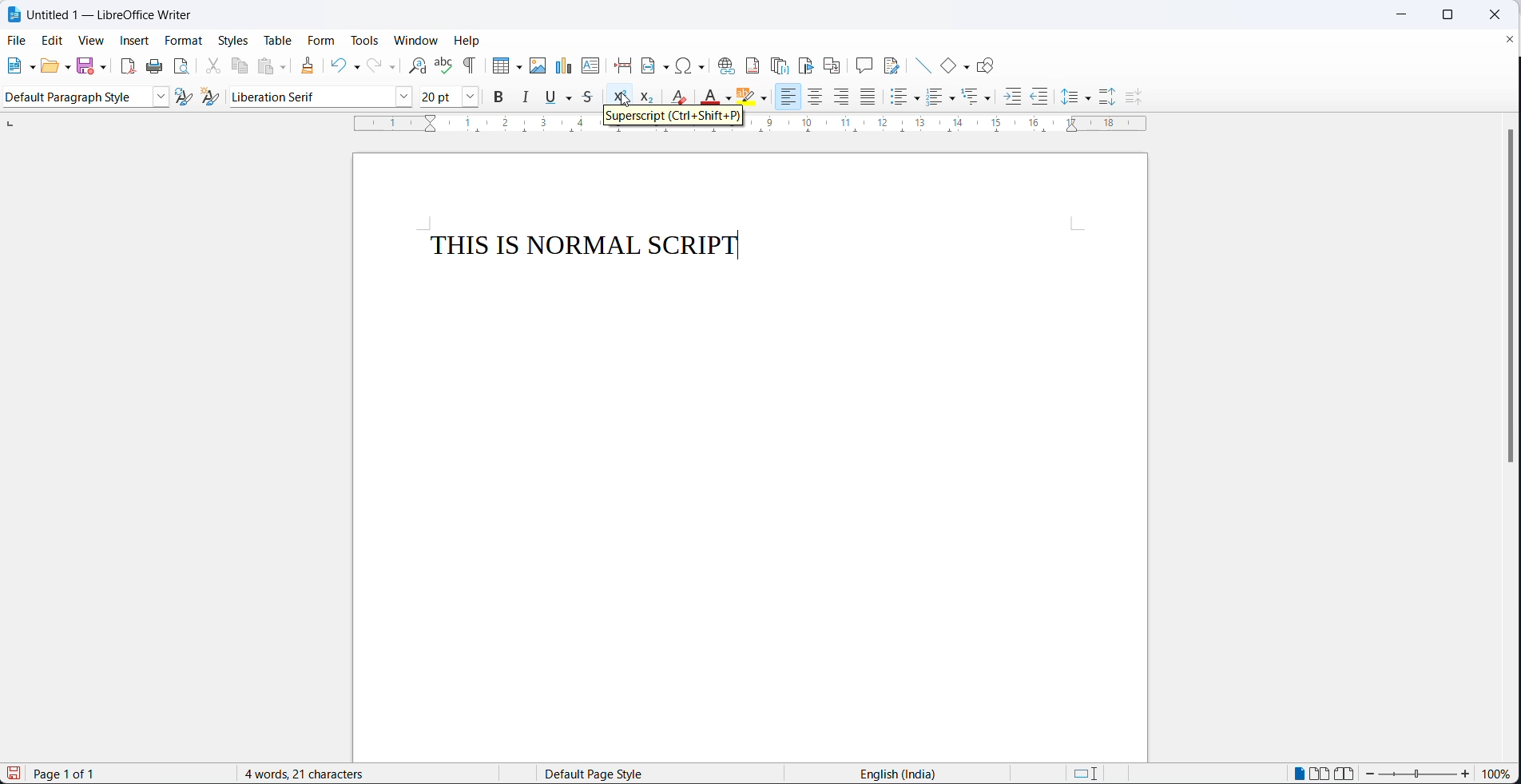 Image resolution: width=1521 pixels, height=784 pixels. What do you see at coordinates (1068, 97) in the screenshot?
I see `line spacing` at bounding box center [1068, 97].